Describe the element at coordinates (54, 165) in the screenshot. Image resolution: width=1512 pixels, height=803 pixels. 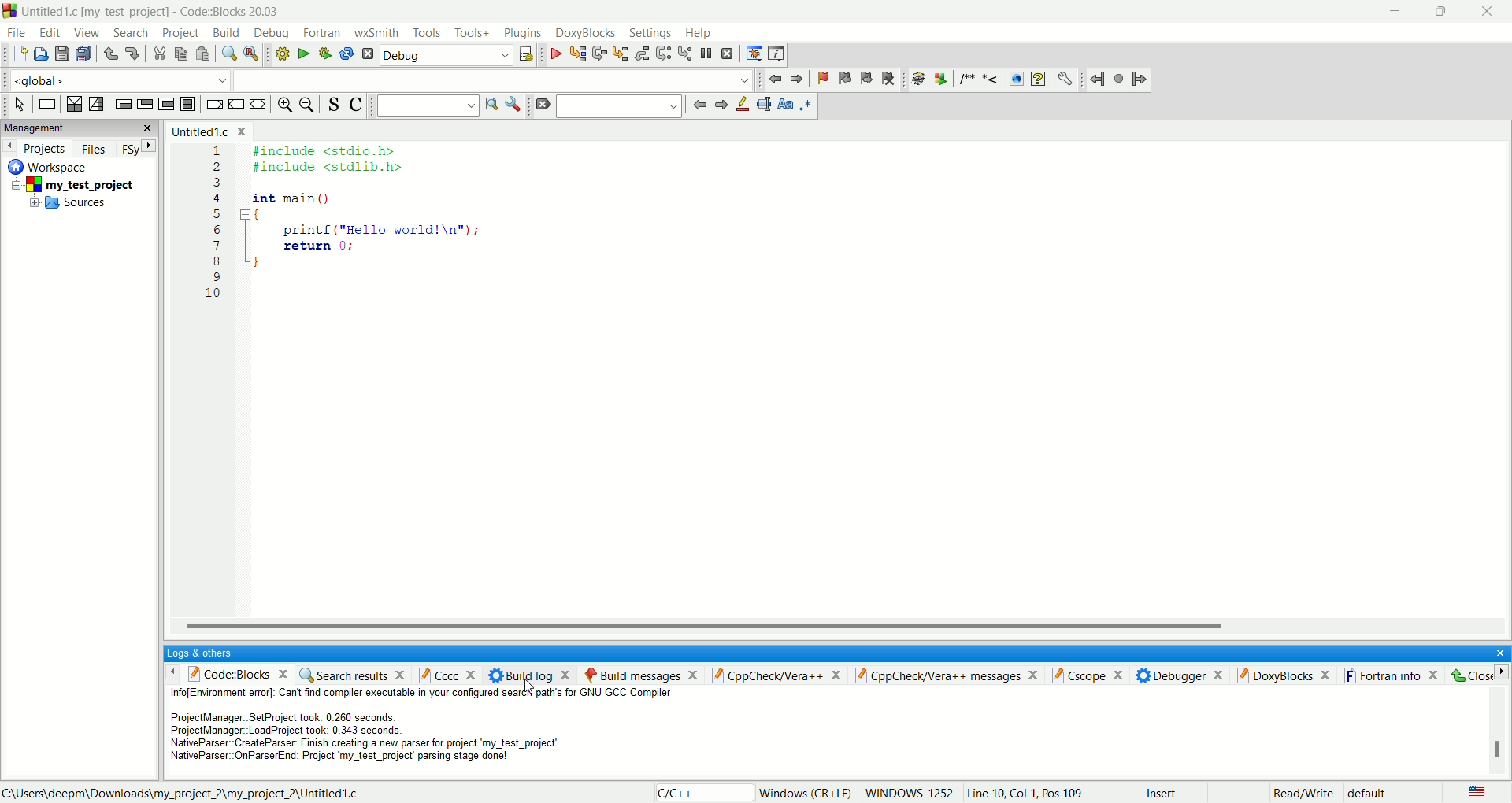
I see `workspace` at that location.